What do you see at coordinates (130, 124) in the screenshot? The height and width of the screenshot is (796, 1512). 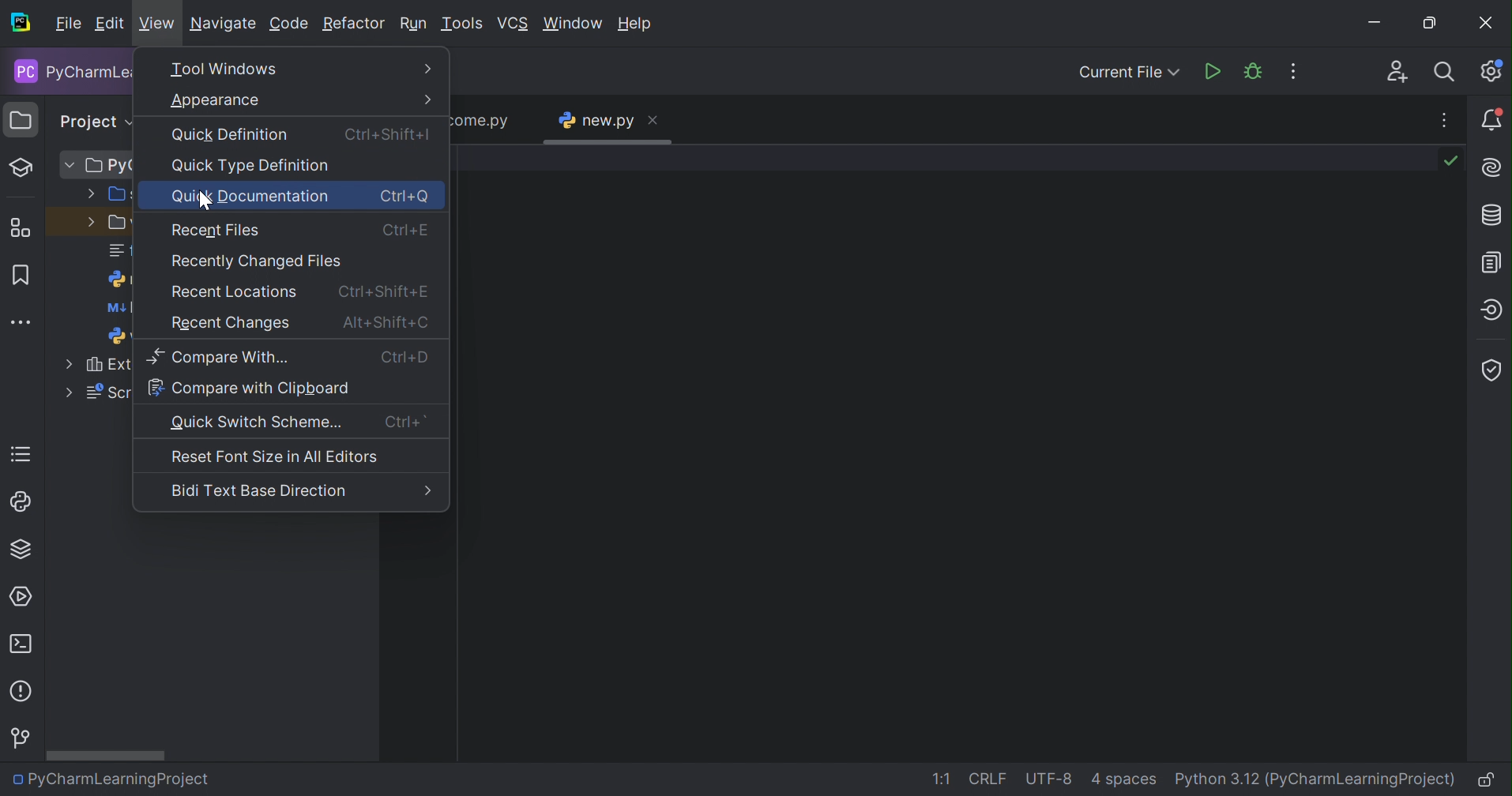 I see `Drop down` at bounding box center [130, 124].